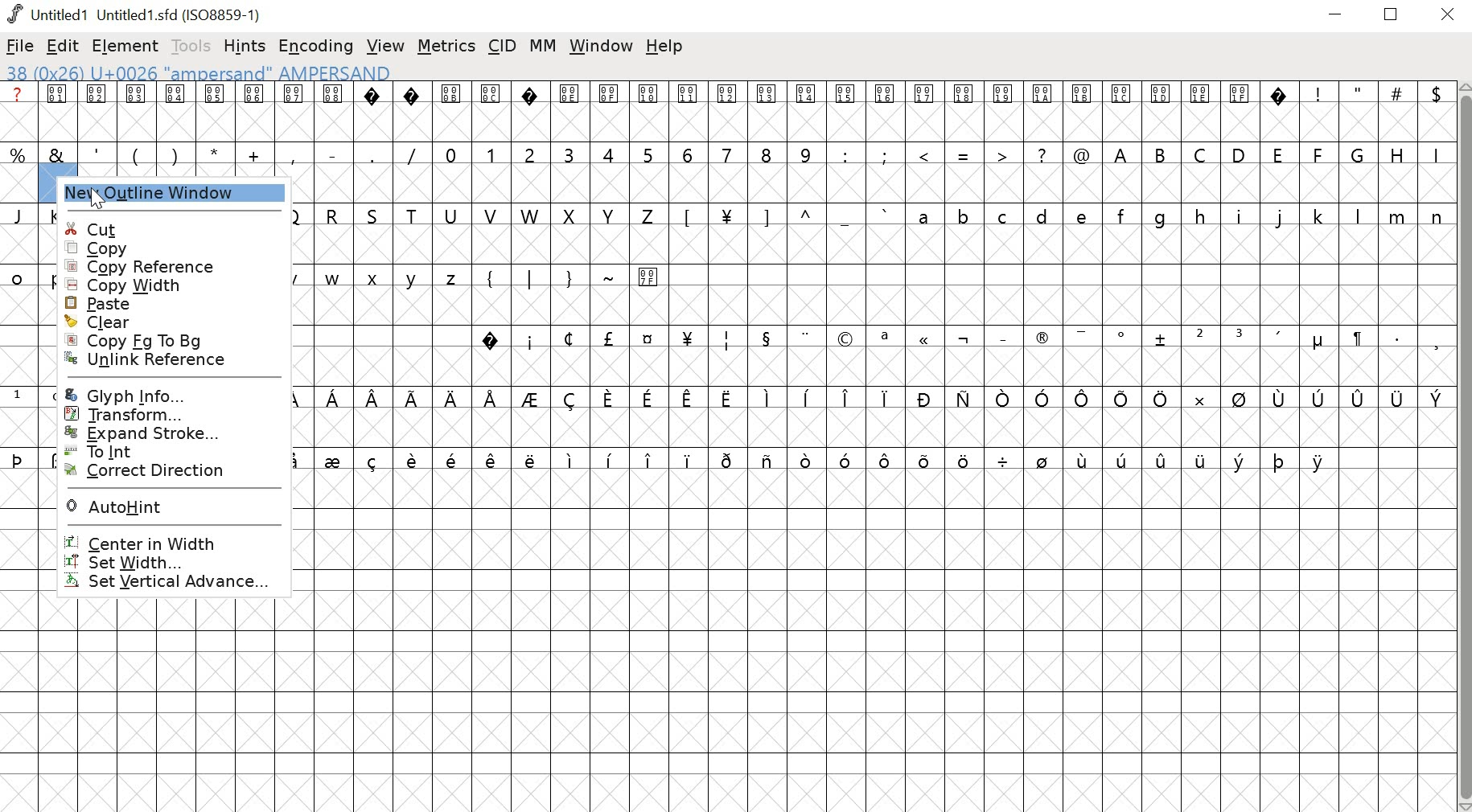 The height and width of the screenshot is (812, 1472). I want to click on %, so click(19, 154).